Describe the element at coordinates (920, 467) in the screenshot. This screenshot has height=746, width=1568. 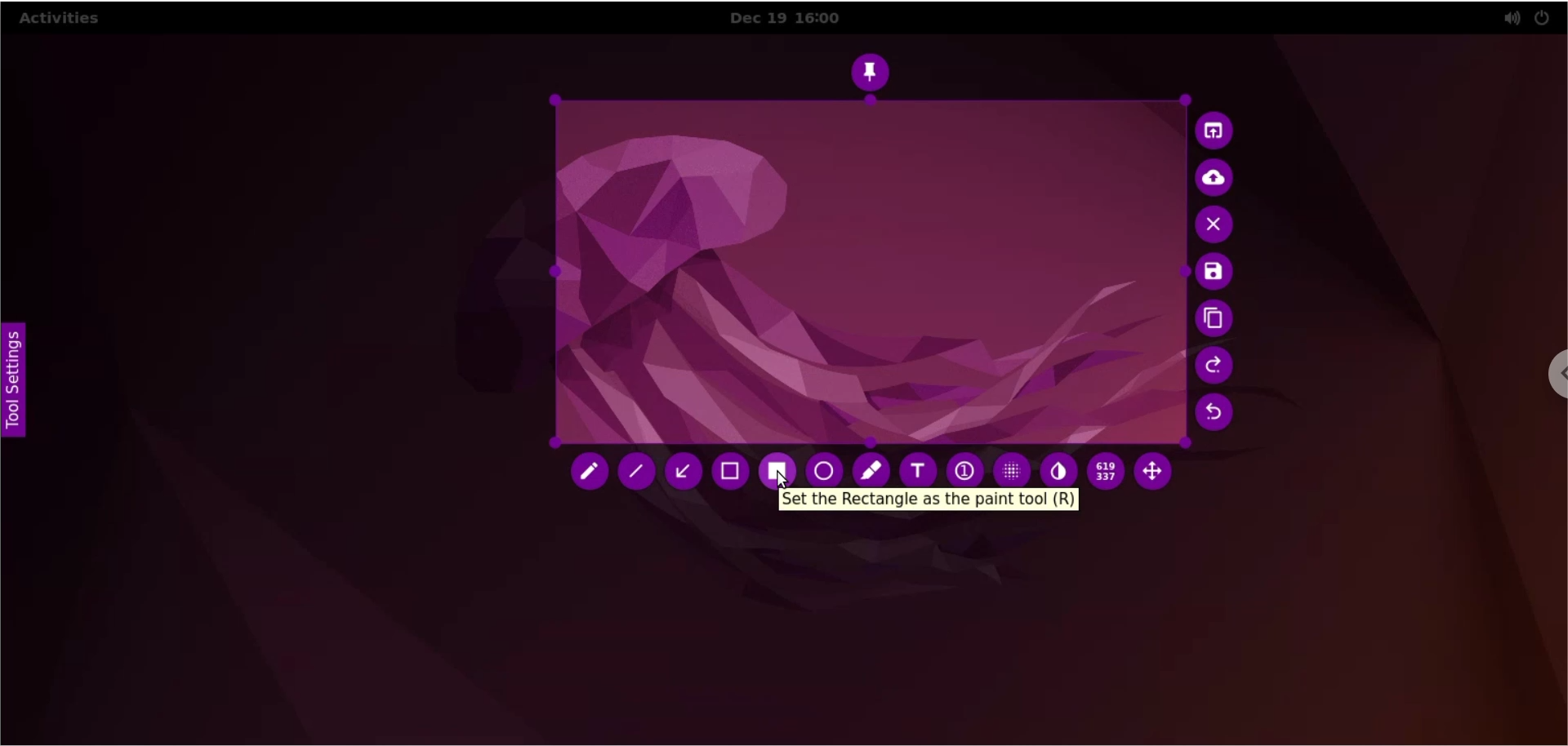
I see `text tool` at that location.